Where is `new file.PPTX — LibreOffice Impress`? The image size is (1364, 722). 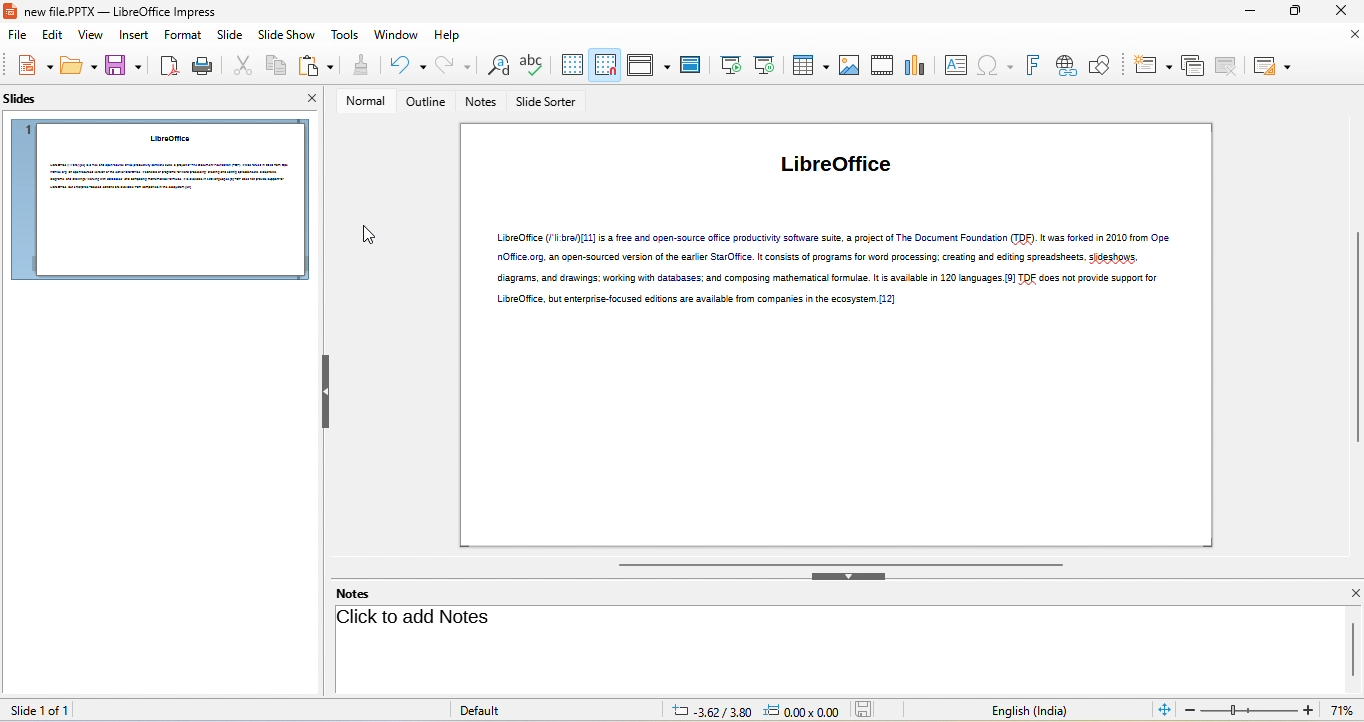 new file.PPTX — LibreOffice Impress is located at coordinates (112, 12).